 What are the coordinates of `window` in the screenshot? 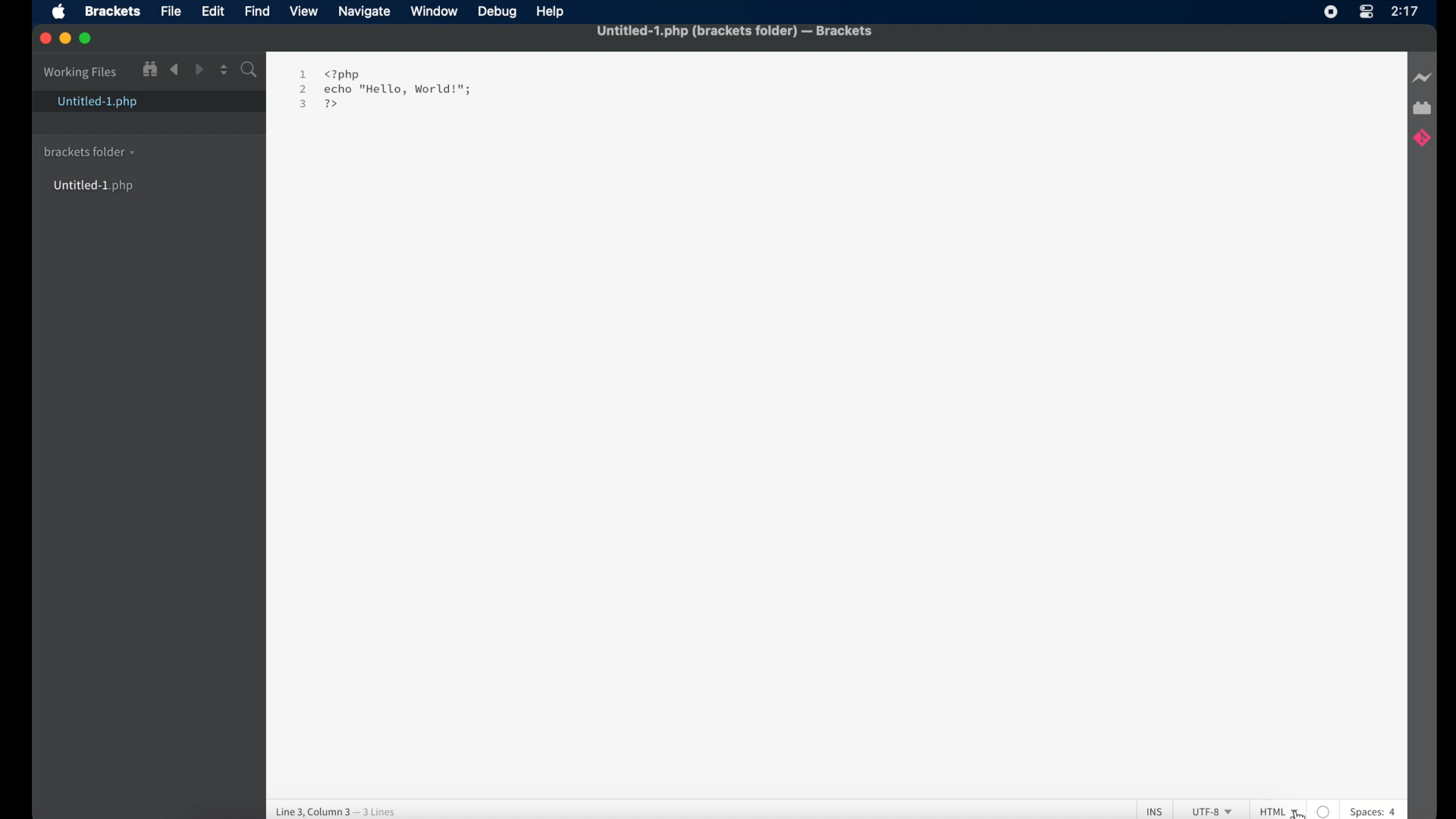 It's located at (434, 12).